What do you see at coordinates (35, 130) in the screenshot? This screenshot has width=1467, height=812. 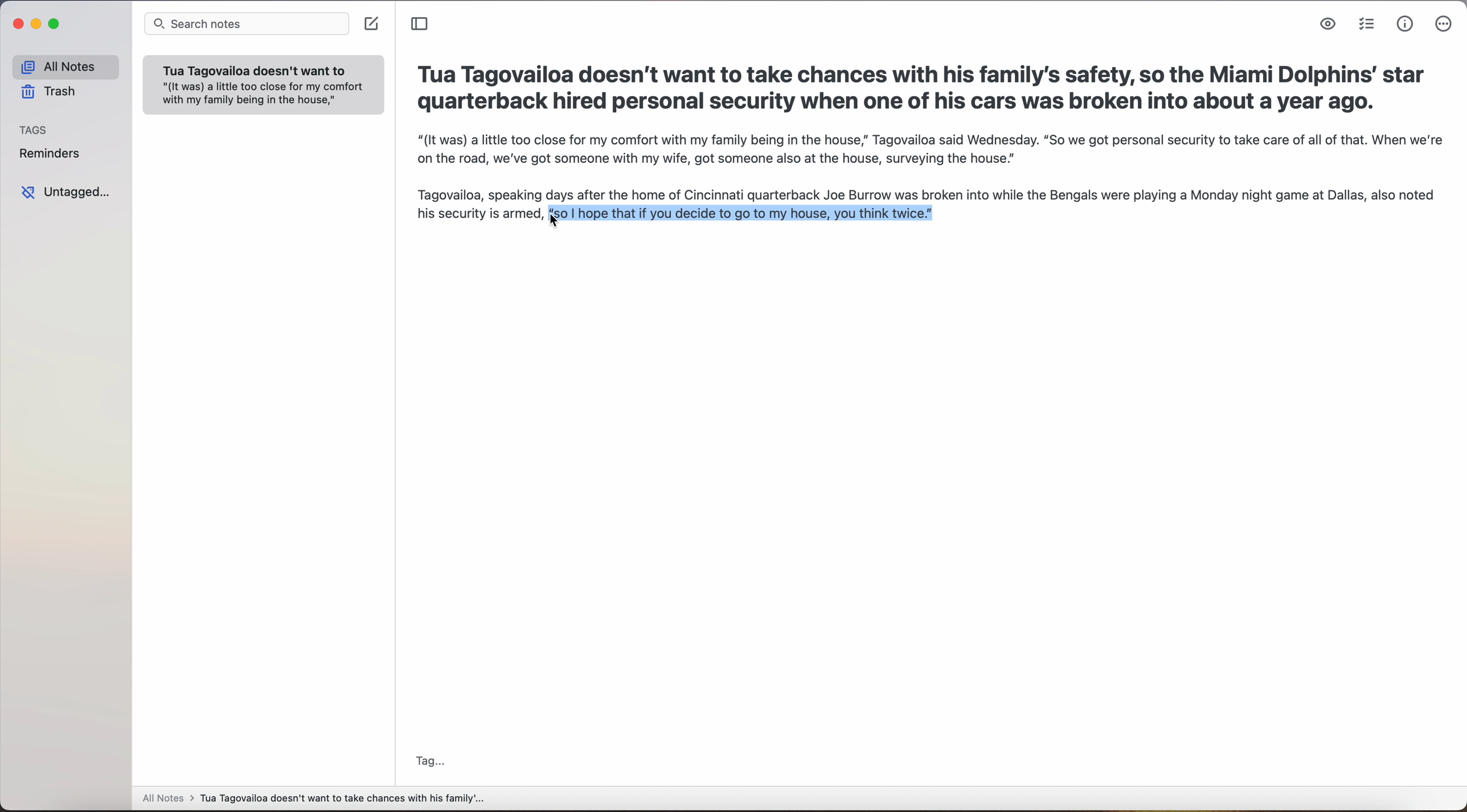 I see `tags` at bounding box center [35, 130].